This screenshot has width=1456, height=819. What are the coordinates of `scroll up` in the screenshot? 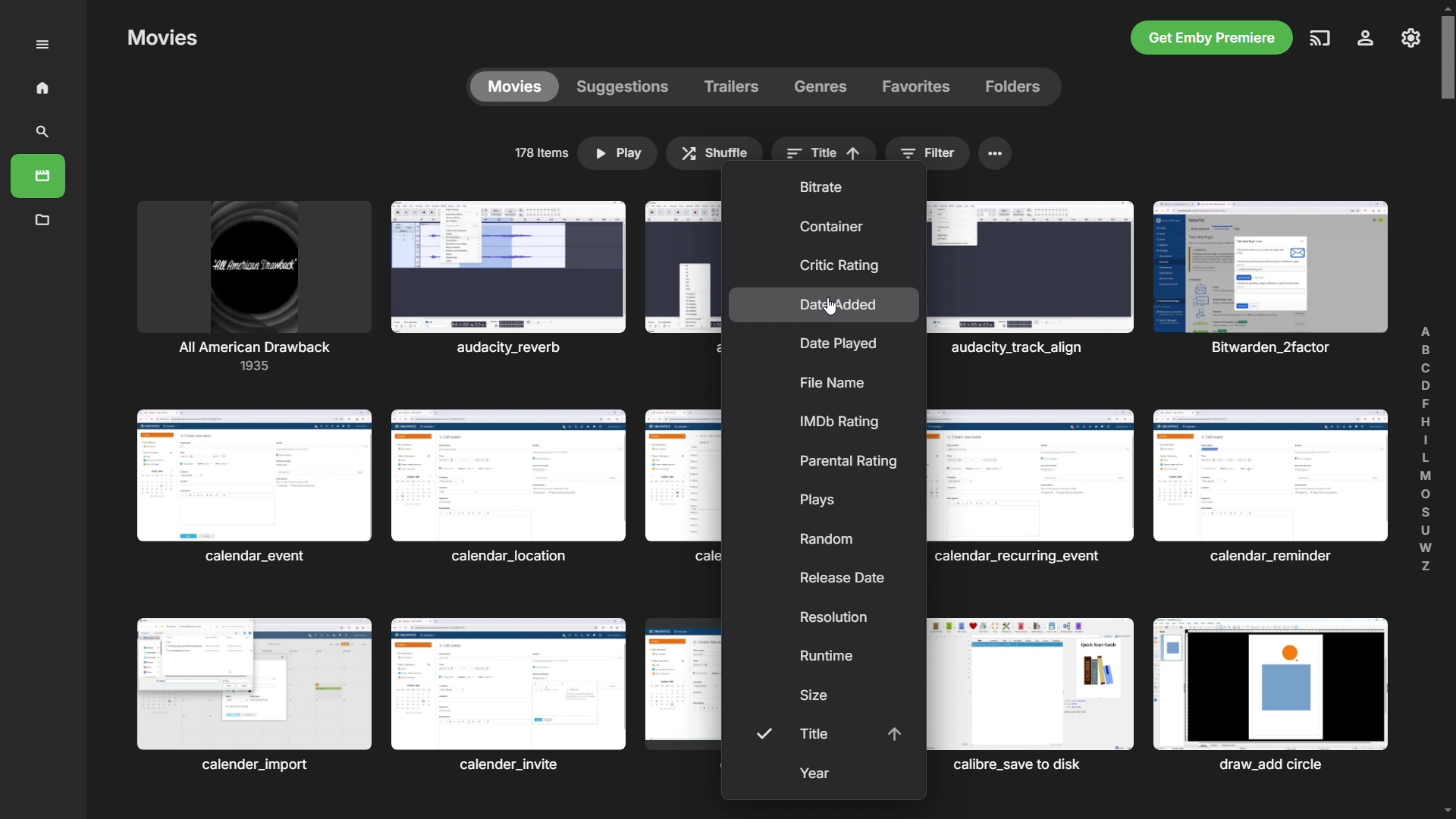 It's located at (1447, 8).